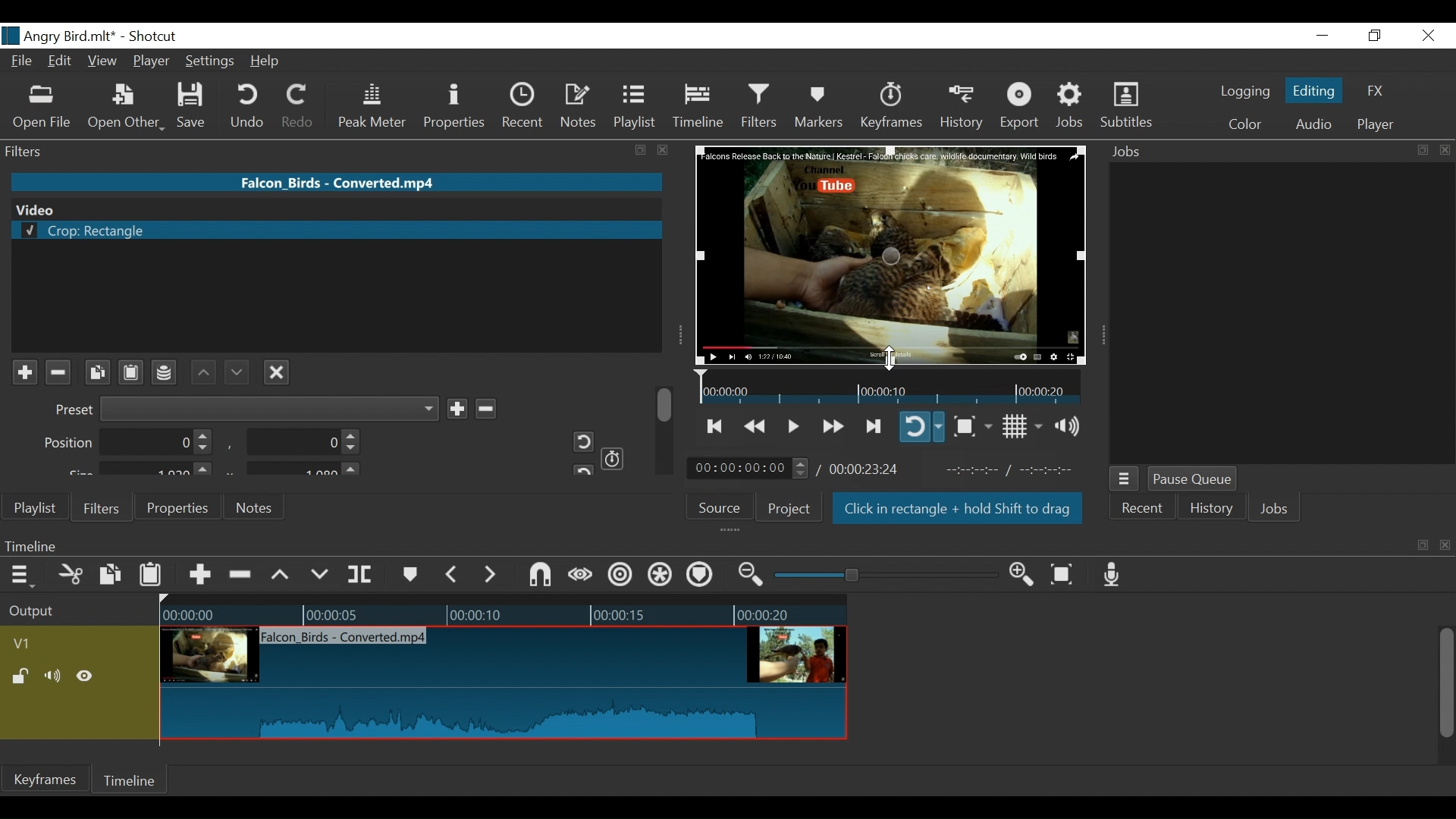 The height and width of the screenshot is (819, 1456). What do you see at coordinates (57, 372) in the screenshot?
I see `Minus` at bounding box center [57, 372].